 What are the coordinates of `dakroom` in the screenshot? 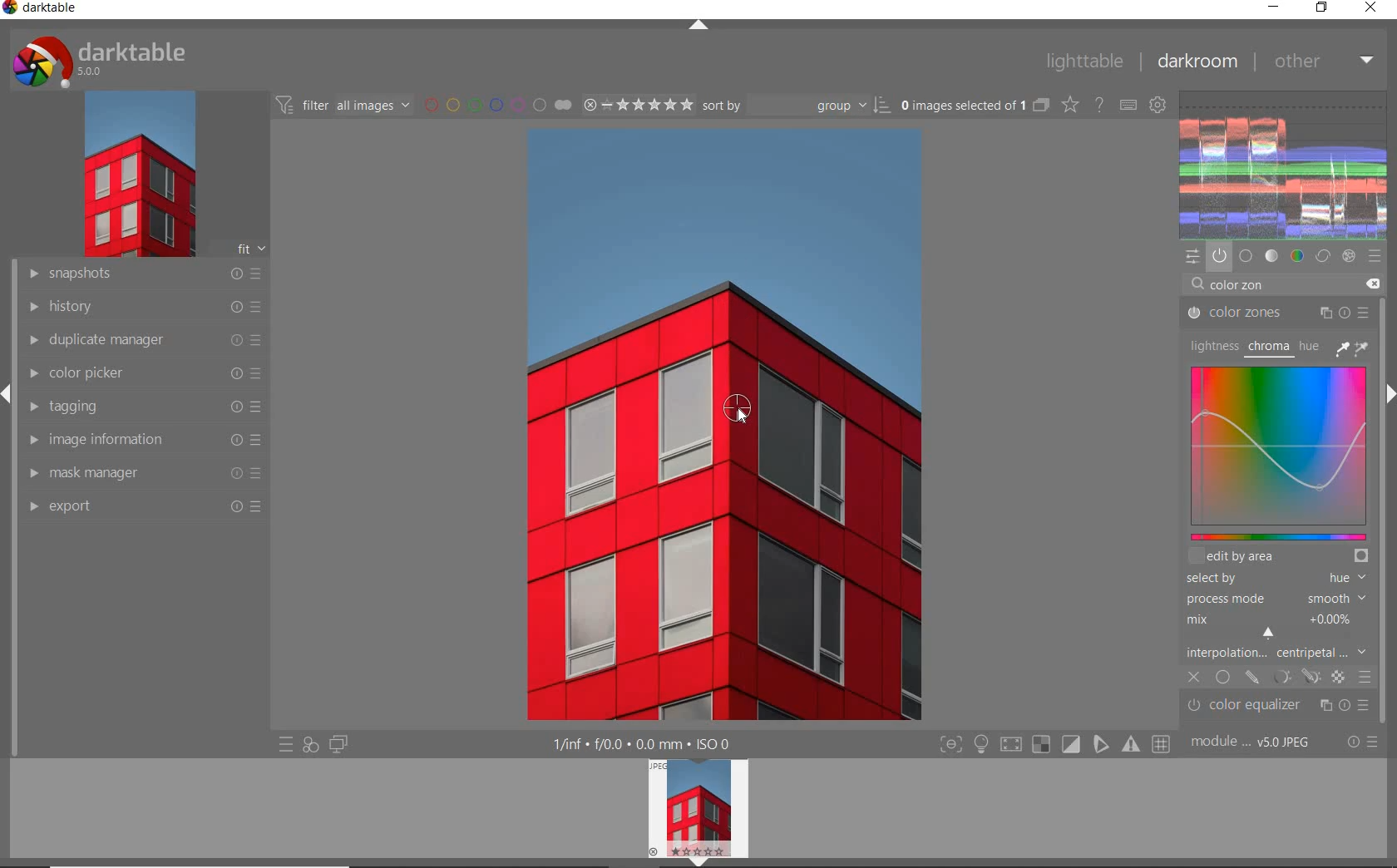 It's located at (1196, 61).